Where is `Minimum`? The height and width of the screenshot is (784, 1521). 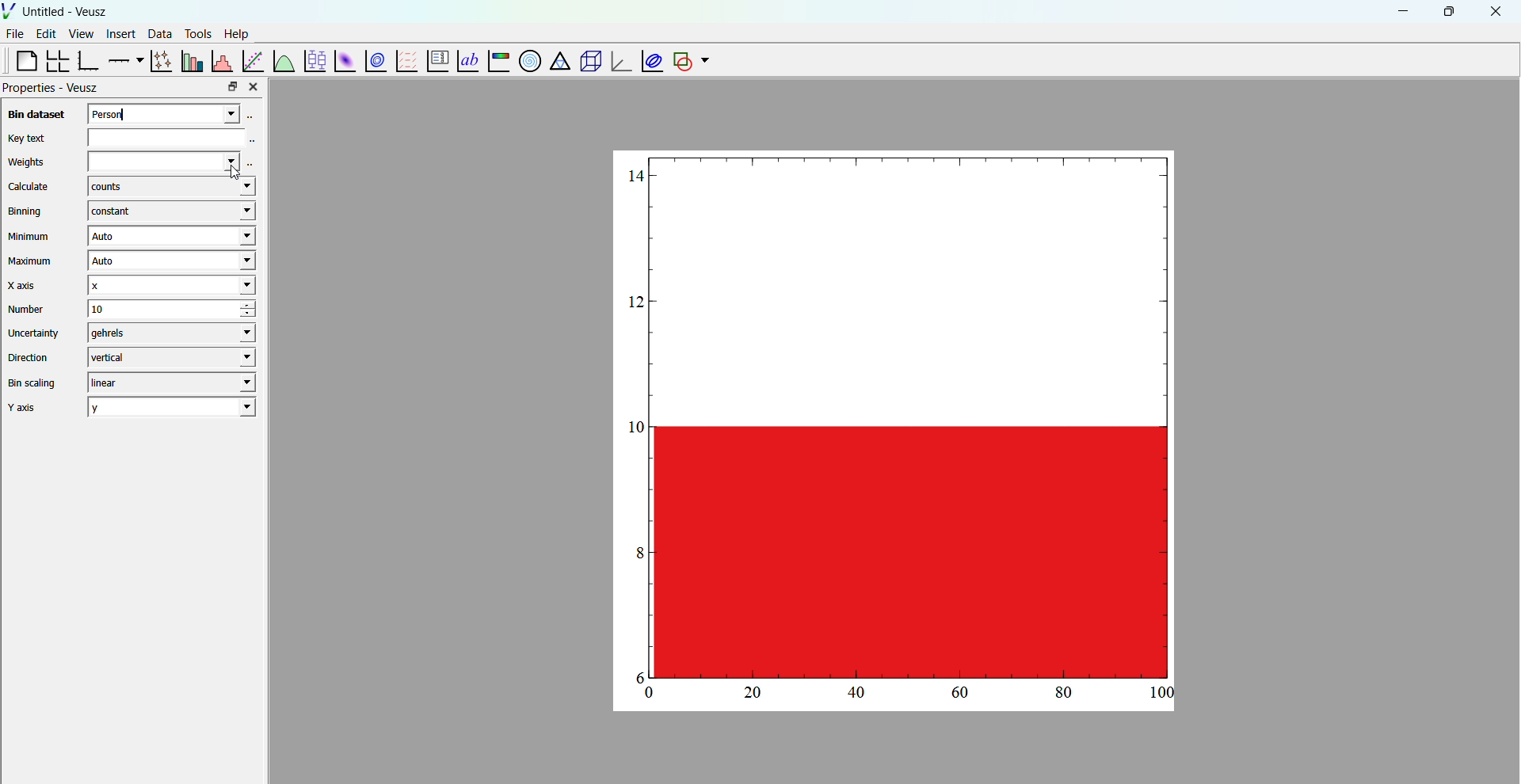
Minimum is located at coordinates (29, 237).